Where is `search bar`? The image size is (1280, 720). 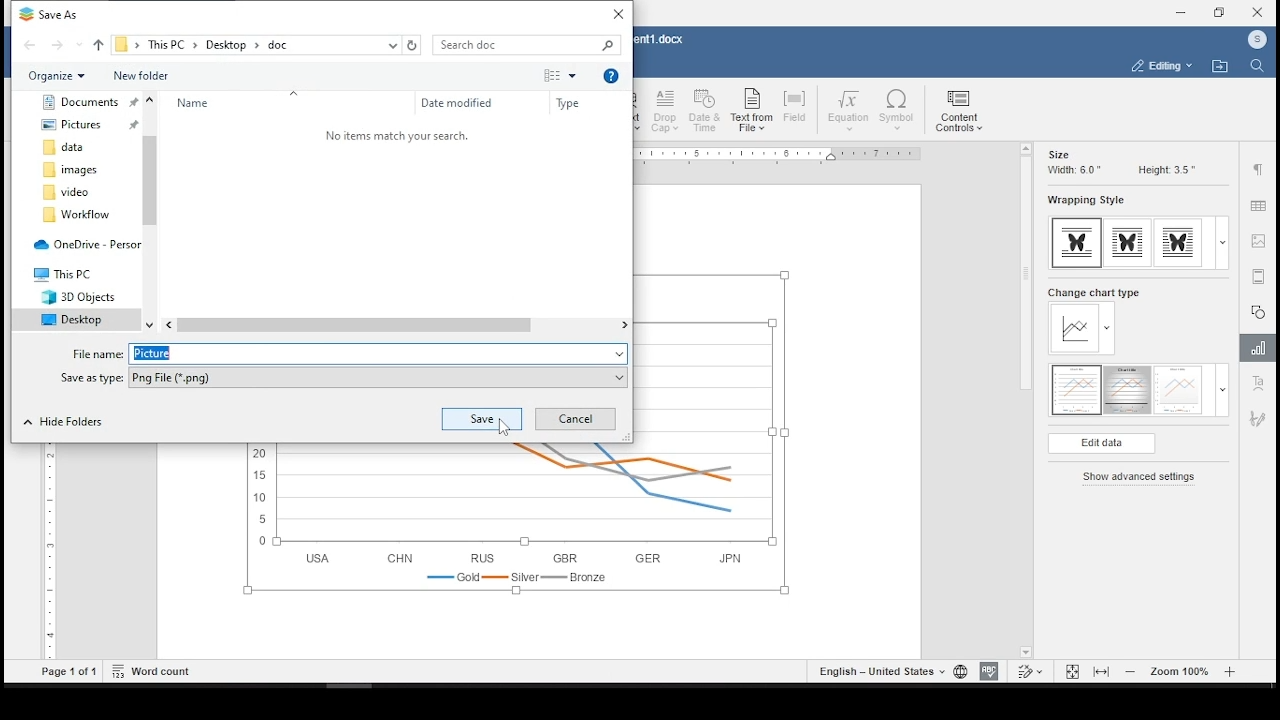
search bar is located at coordinates (527, 44).